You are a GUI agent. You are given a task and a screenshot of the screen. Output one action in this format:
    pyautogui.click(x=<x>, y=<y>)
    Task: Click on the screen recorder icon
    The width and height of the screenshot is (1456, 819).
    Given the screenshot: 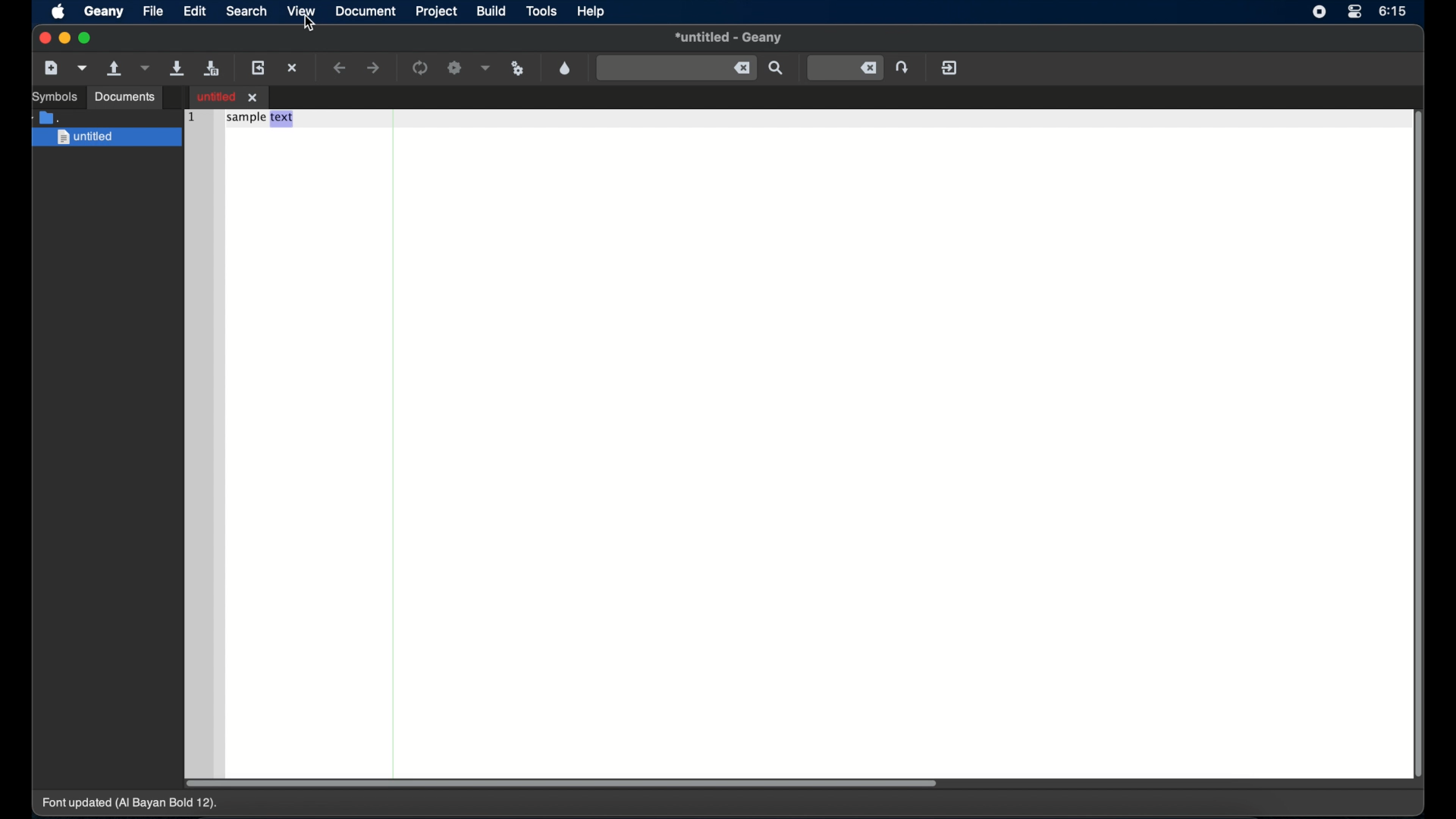 What is the action you would take?
    pyautogui.click(x=1319, y=13)
    